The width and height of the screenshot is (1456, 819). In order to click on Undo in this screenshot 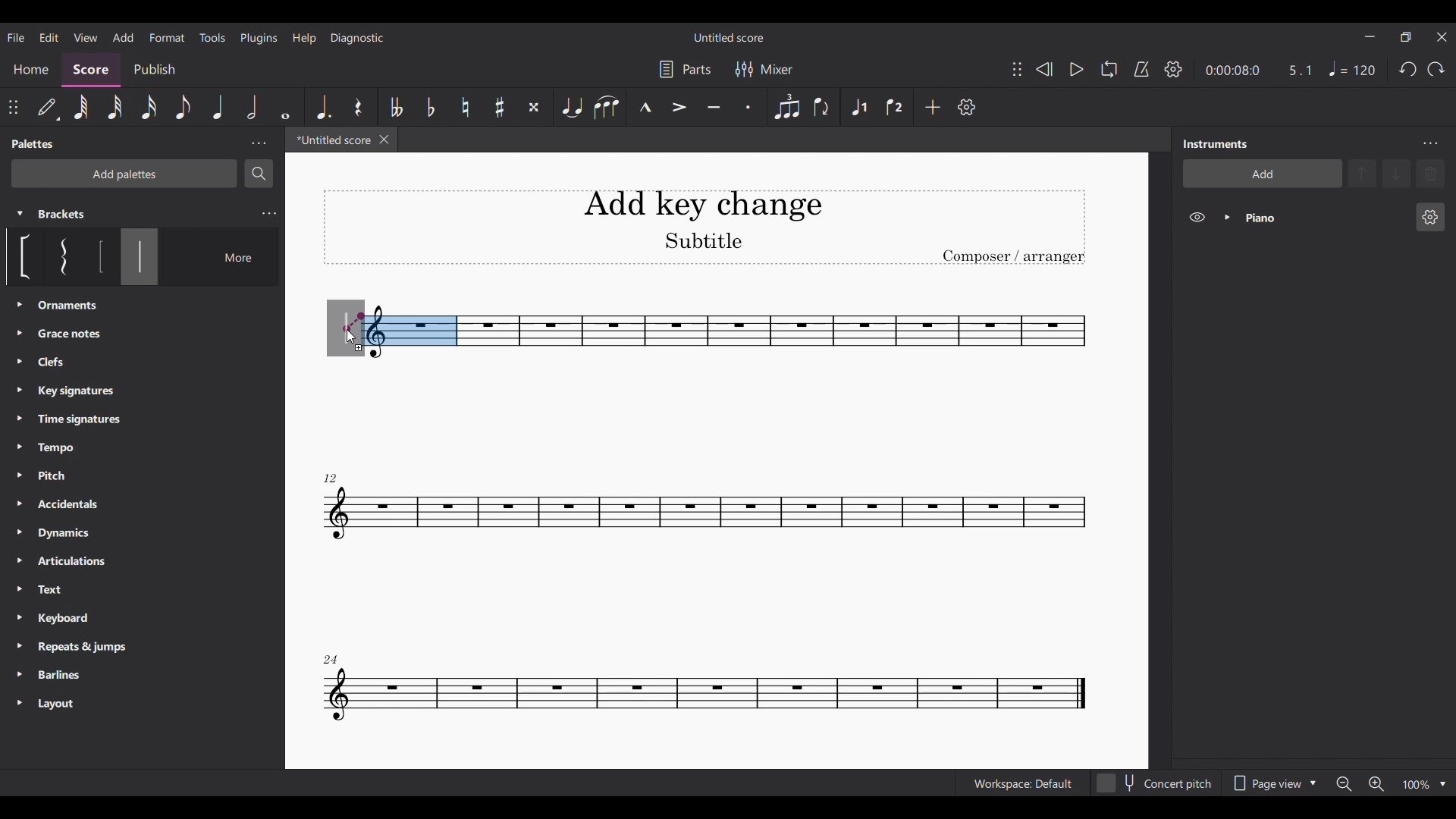, I will do `click(1408, 69)`.